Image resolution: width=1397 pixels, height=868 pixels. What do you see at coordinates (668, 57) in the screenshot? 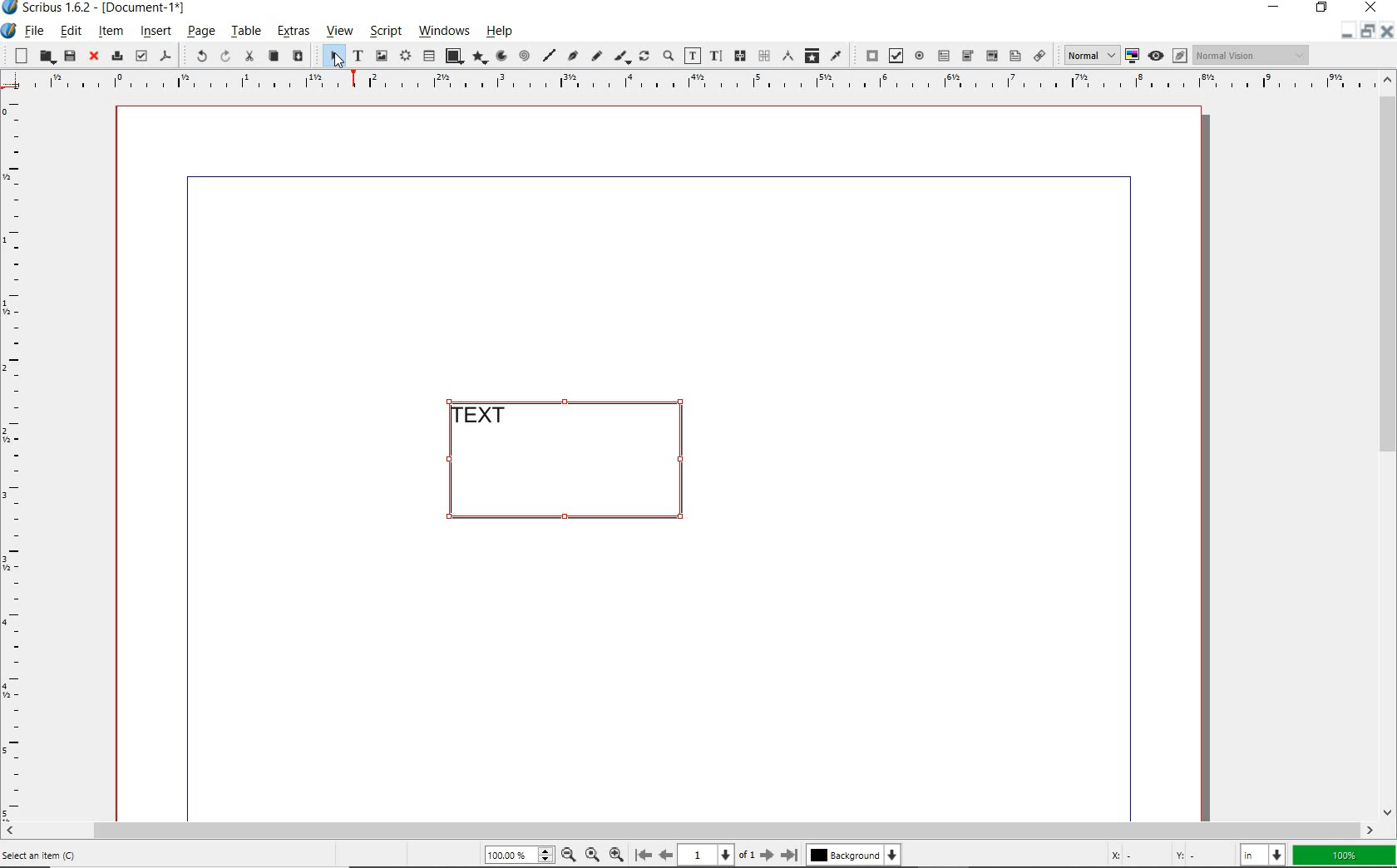
I see `zoom in or zoom out` at bounding box center [668, 57].